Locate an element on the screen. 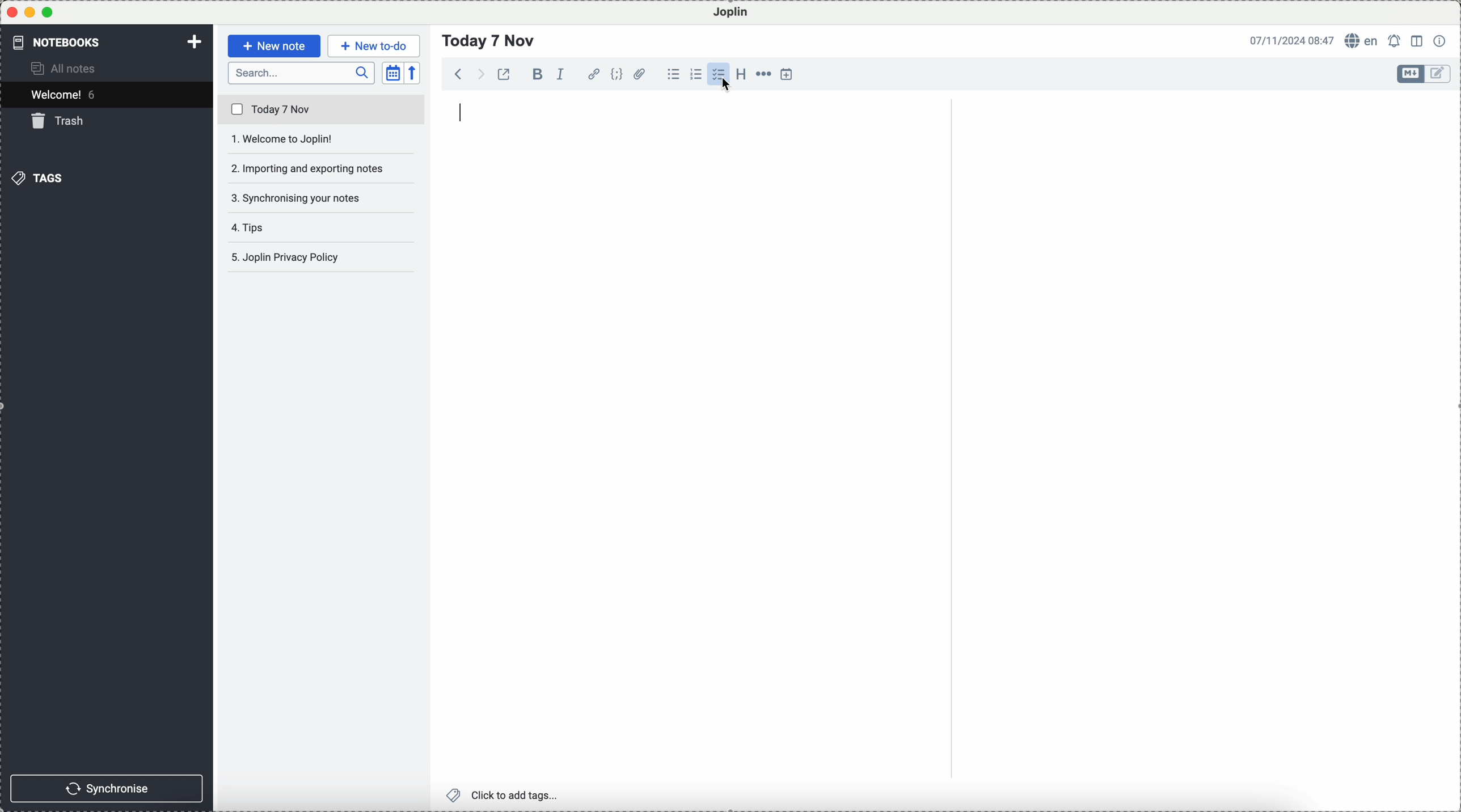 The width and height of the screenshot is (1461, 812). forward is located at coordinates (479, 74).